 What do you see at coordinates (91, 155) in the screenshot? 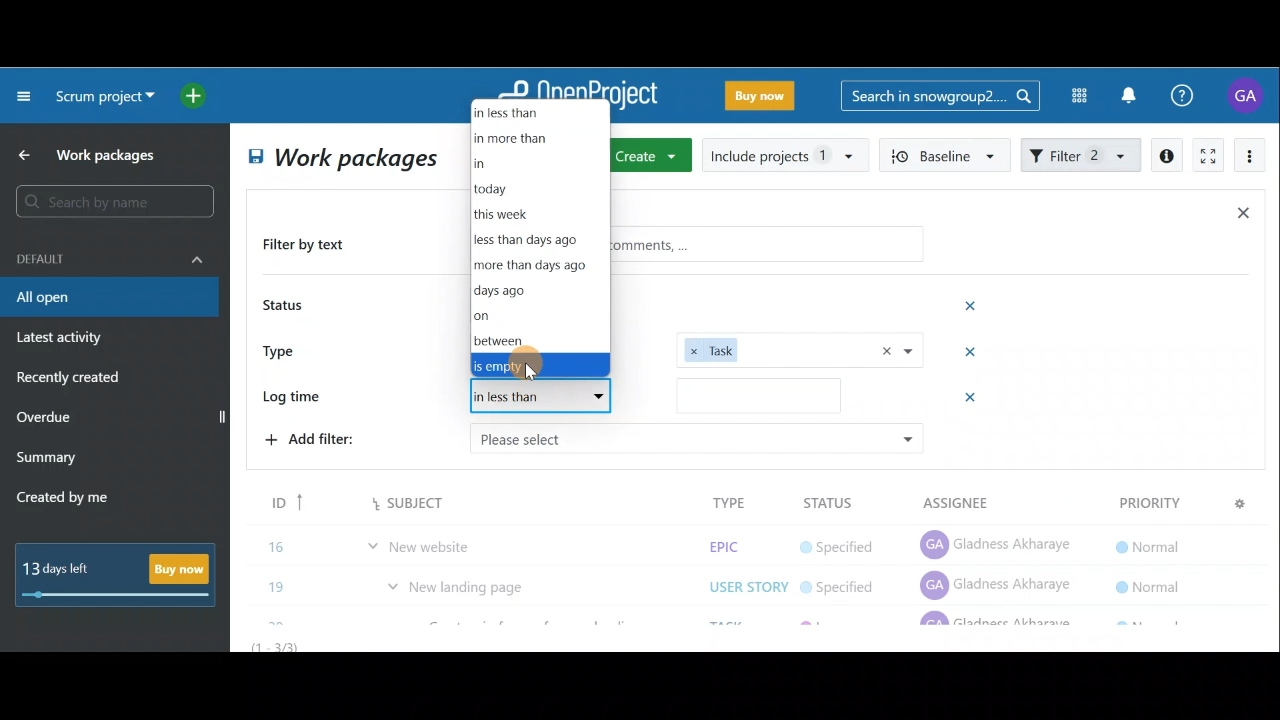
I see `Work packages` at bounding box center [91, 155].